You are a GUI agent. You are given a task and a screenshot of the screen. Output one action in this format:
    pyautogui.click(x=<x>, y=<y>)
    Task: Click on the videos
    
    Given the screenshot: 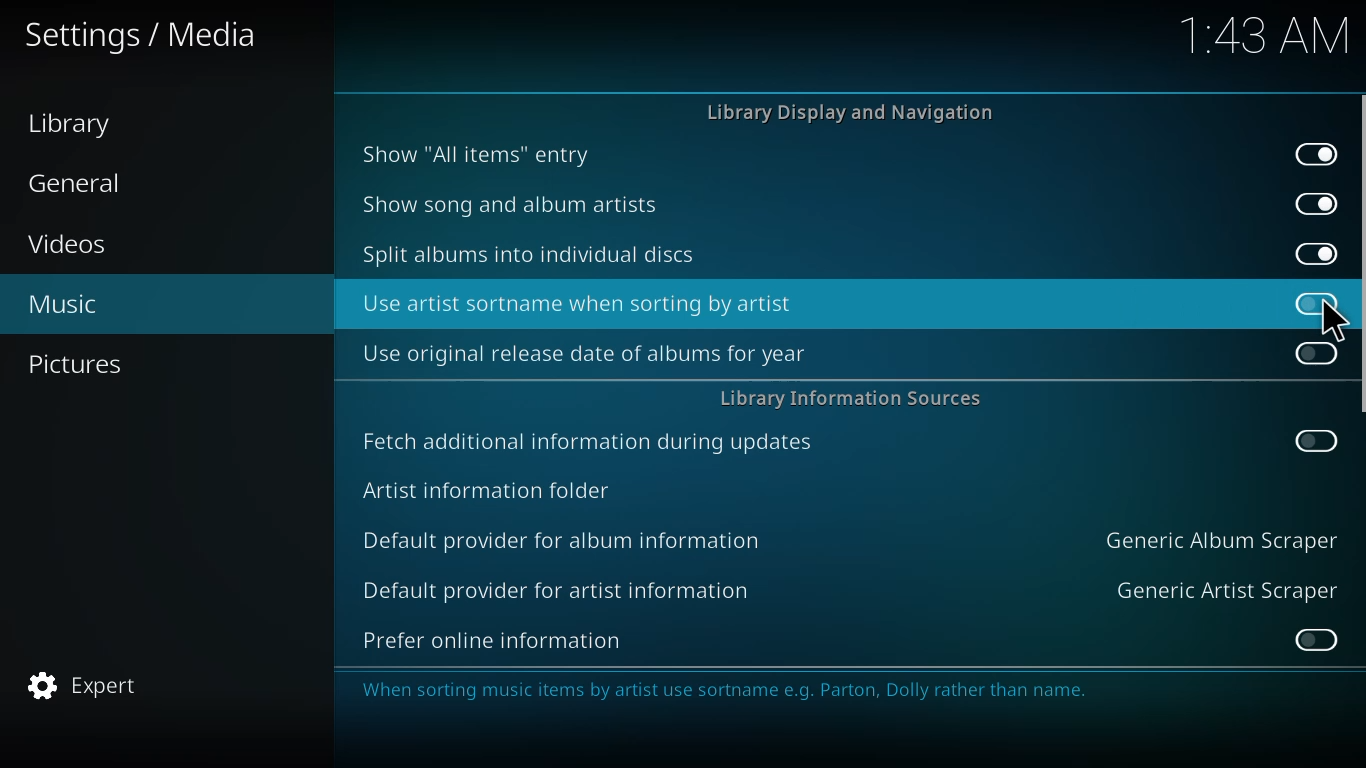 What is the action you would take?
    pyautogui.click(x=69, y=245)
    